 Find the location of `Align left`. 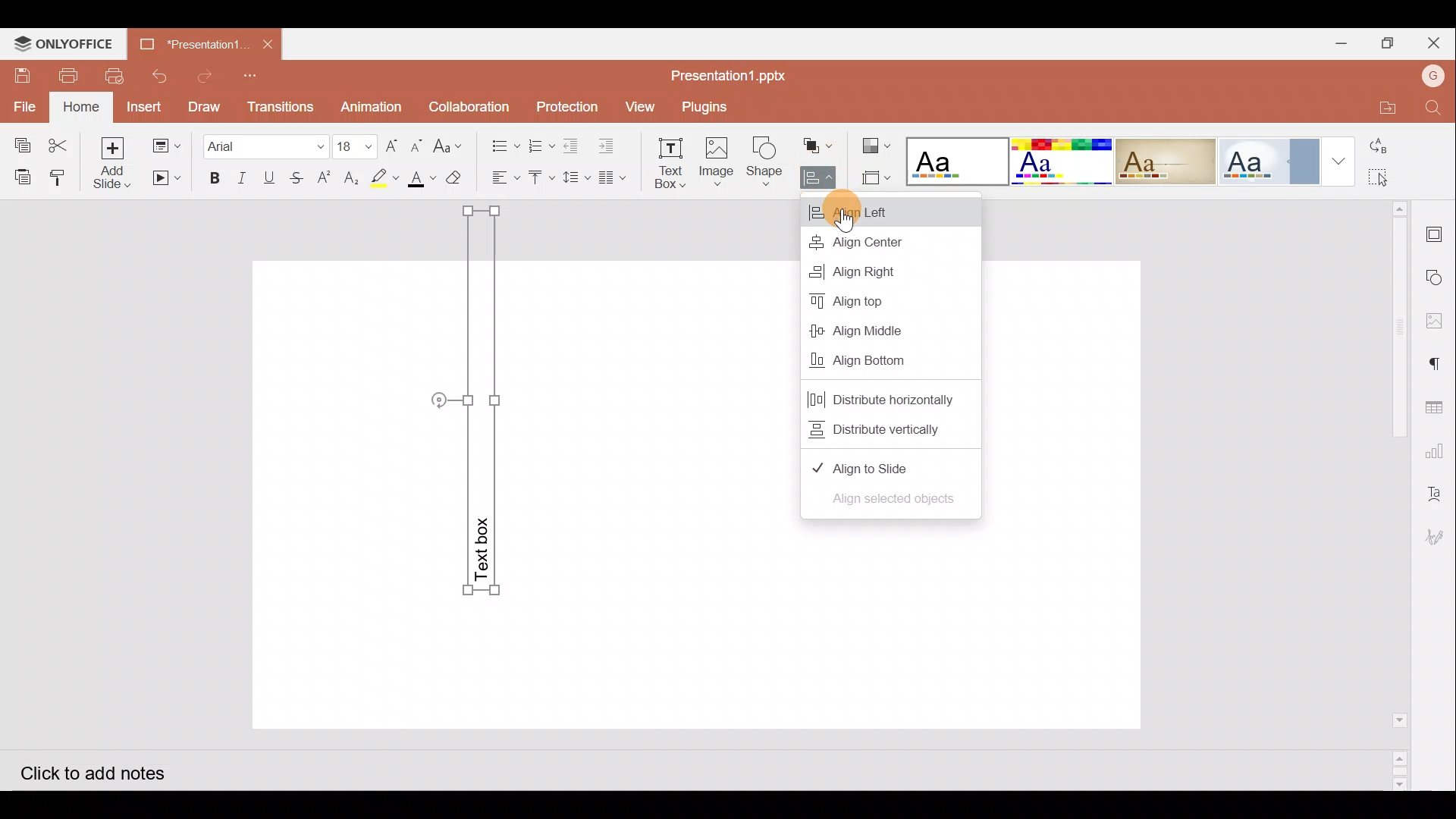

Align left is located at coordinates (899, 211).